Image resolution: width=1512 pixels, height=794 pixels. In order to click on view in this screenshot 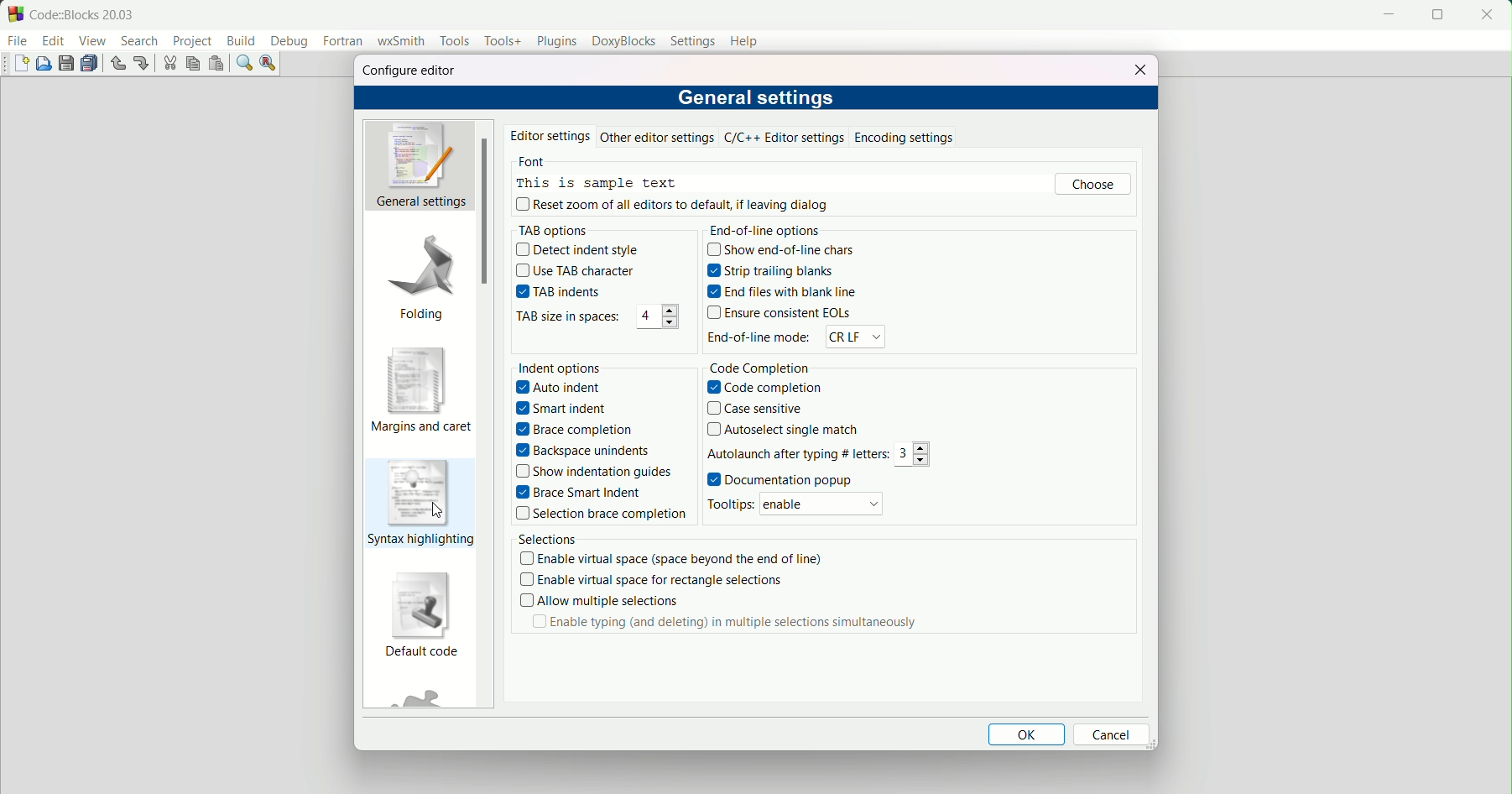, I will do `click(93, 41)`.